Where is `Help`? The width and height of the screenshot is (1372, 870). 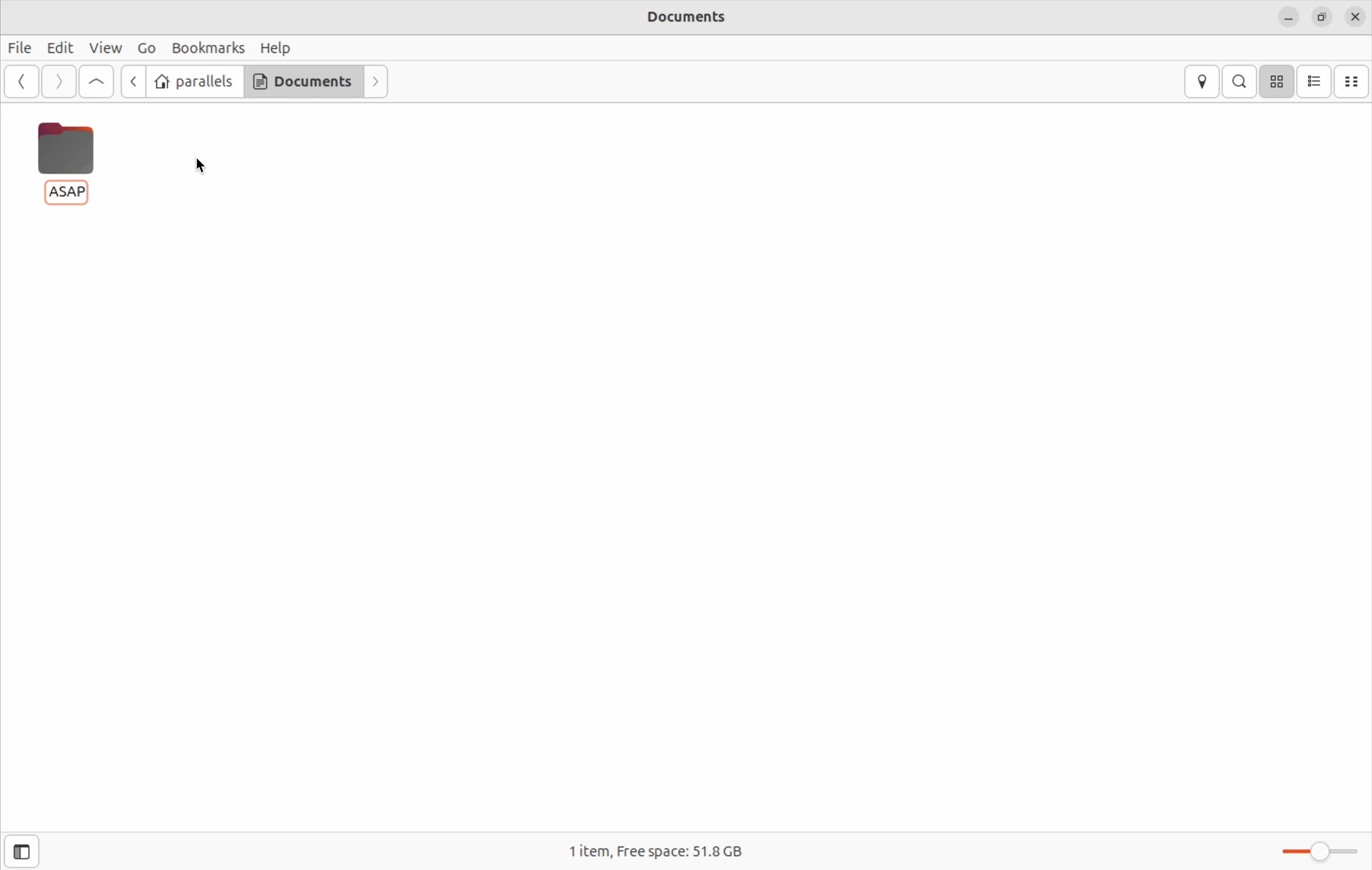 Help is located at coordinates (276, 45).